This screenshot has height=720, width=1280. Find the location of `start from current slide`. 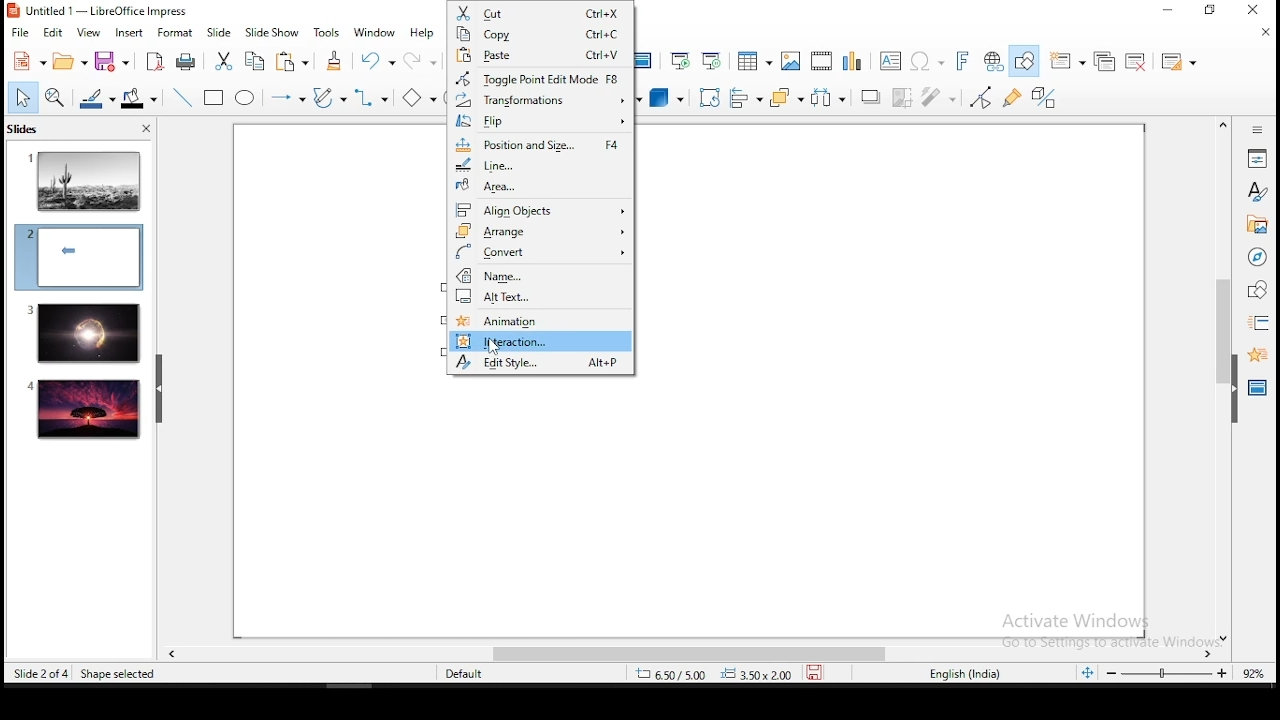

start from current slide is located at coordinates (713, 60).